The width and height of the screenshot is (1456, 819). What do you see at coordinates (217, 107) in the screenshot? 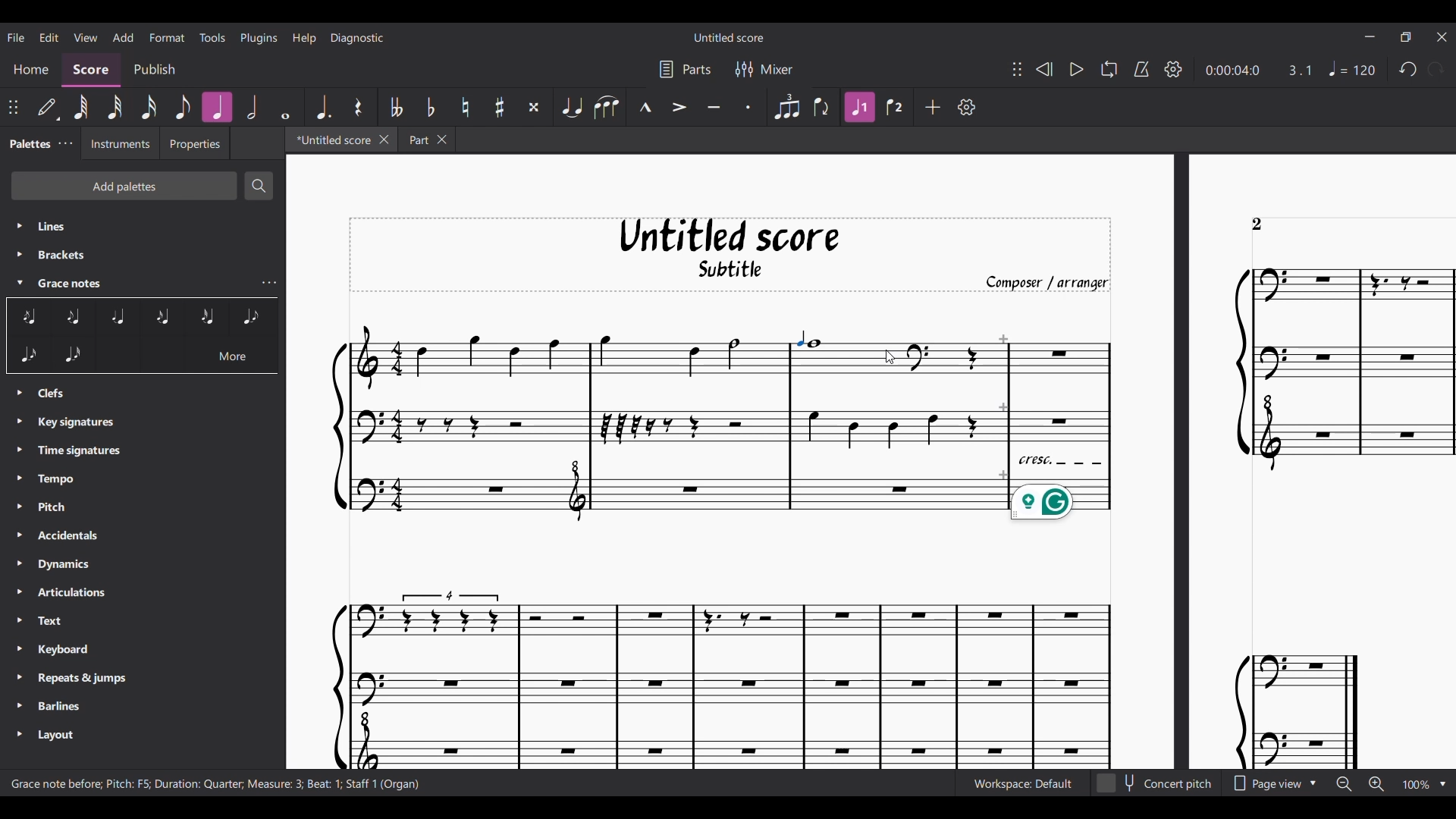
I see `Highlighted after addition of grace note` at bounding box center [217, 107].